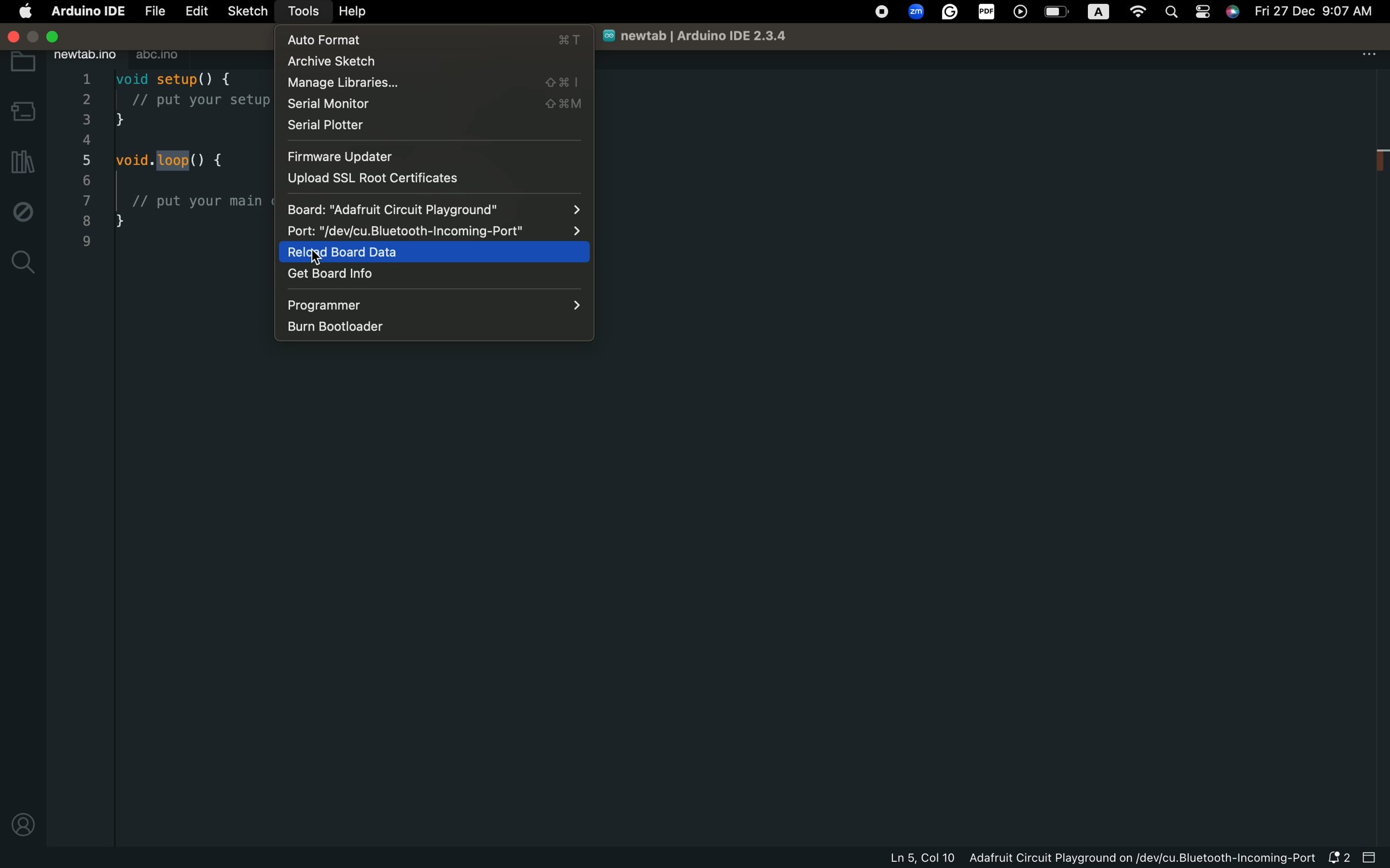 The width and height of the screenshot is (1390, 868). What do you see at coordinates (86, 10) in the screenshot?
I see `Arduino IDE` at bounding box center [86, 10].